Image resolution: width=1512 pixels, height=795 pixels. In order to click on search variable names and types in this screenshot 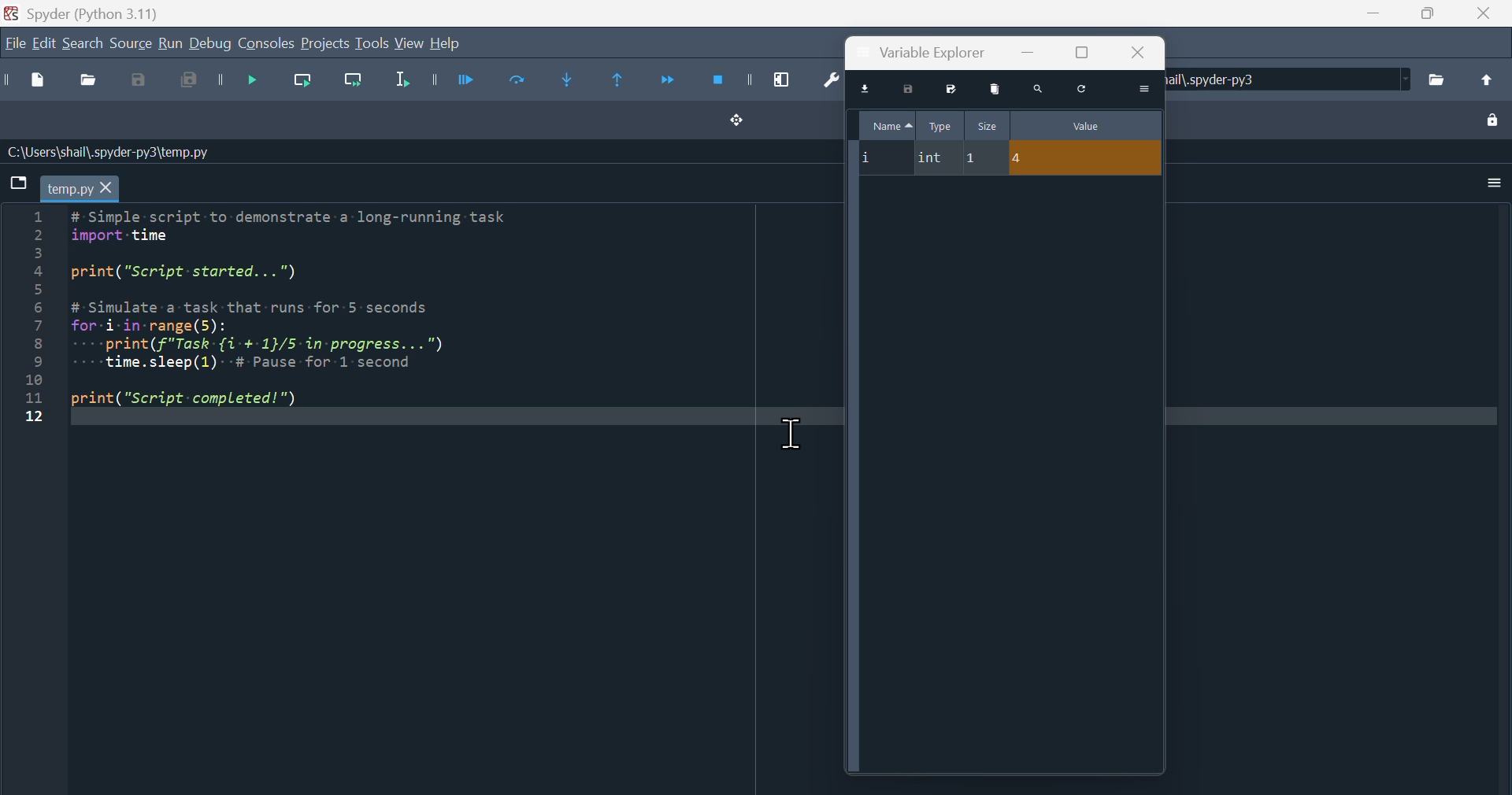, I will do `click(1037, 90)`.